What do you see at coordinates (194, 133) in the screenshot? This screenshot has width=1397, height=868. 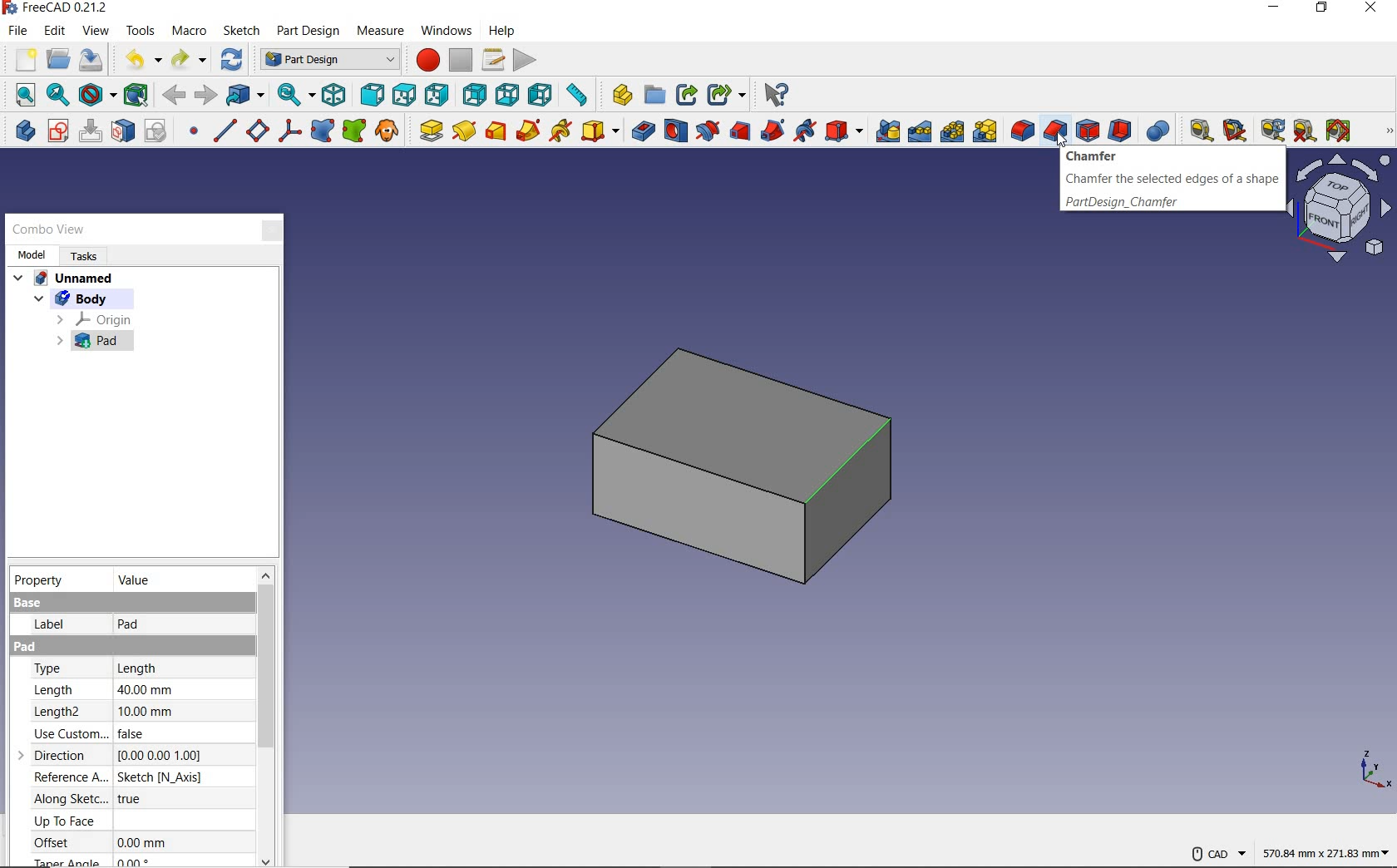 I see `create a datum point` at bounding box center [194, 133].